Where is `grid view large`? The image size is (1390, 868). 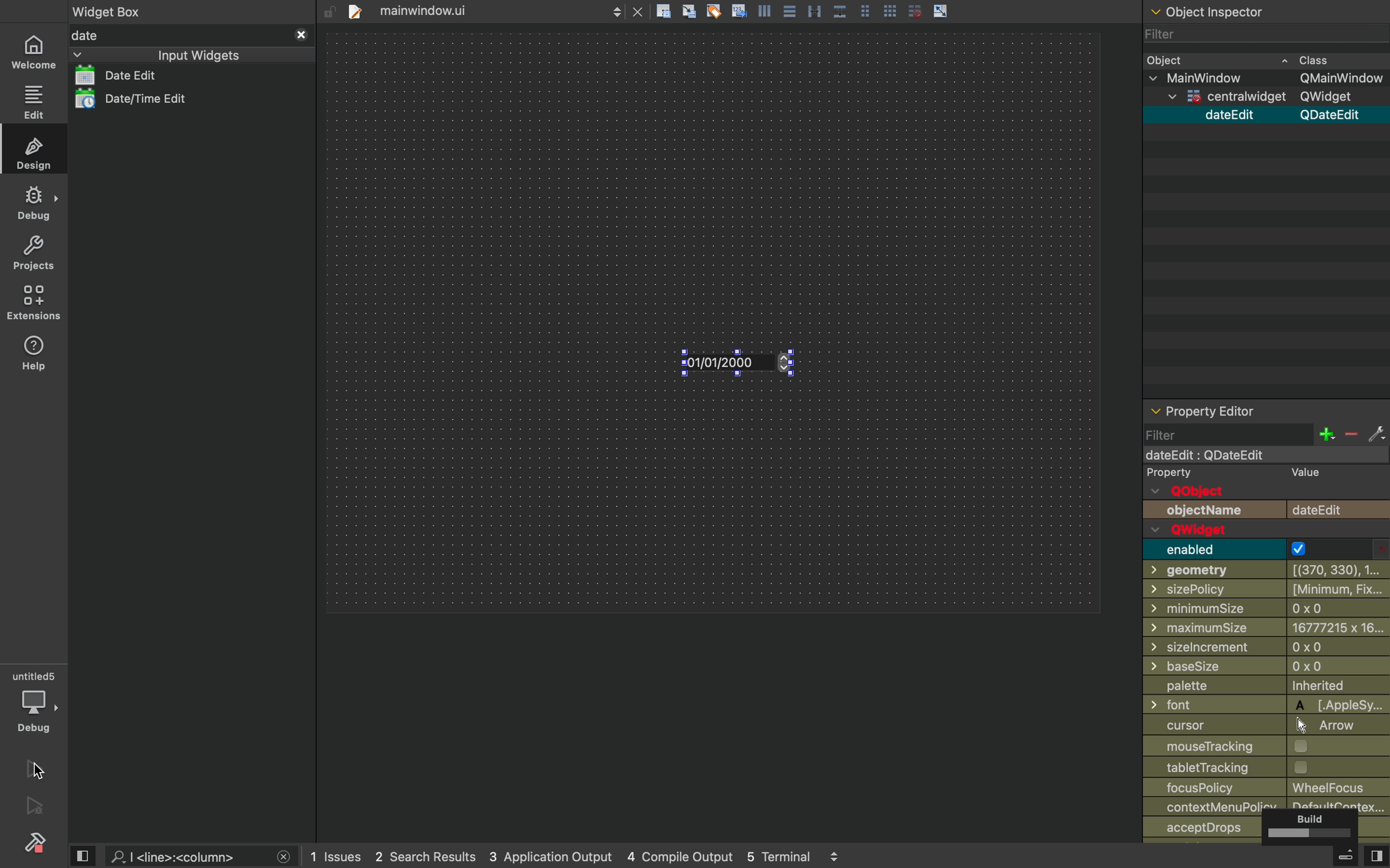
grid view large is located at coordinates (890, 10).